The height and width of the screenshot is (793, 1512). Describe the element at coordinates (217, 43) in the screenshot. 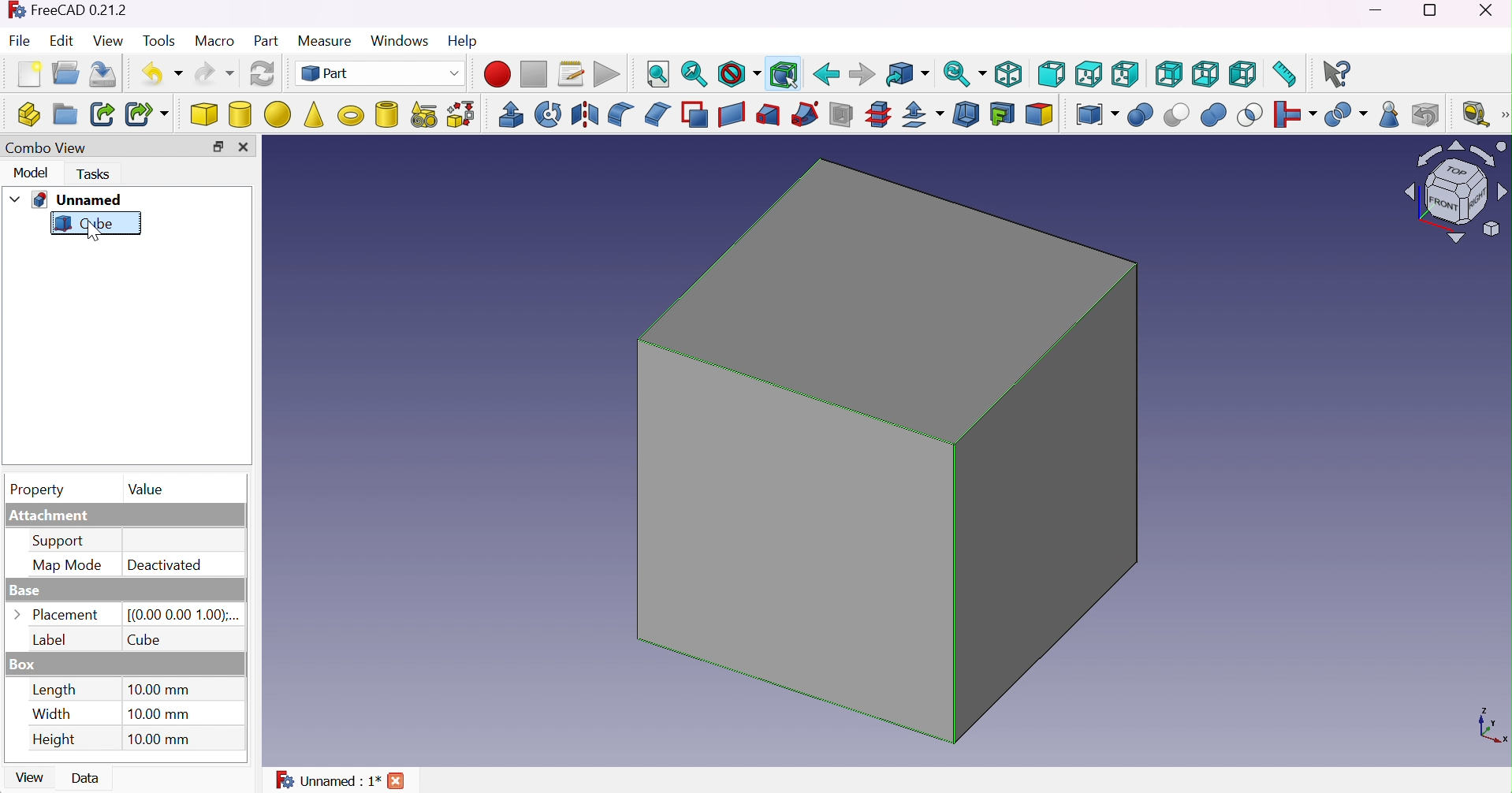

I see `Macro` at that location.